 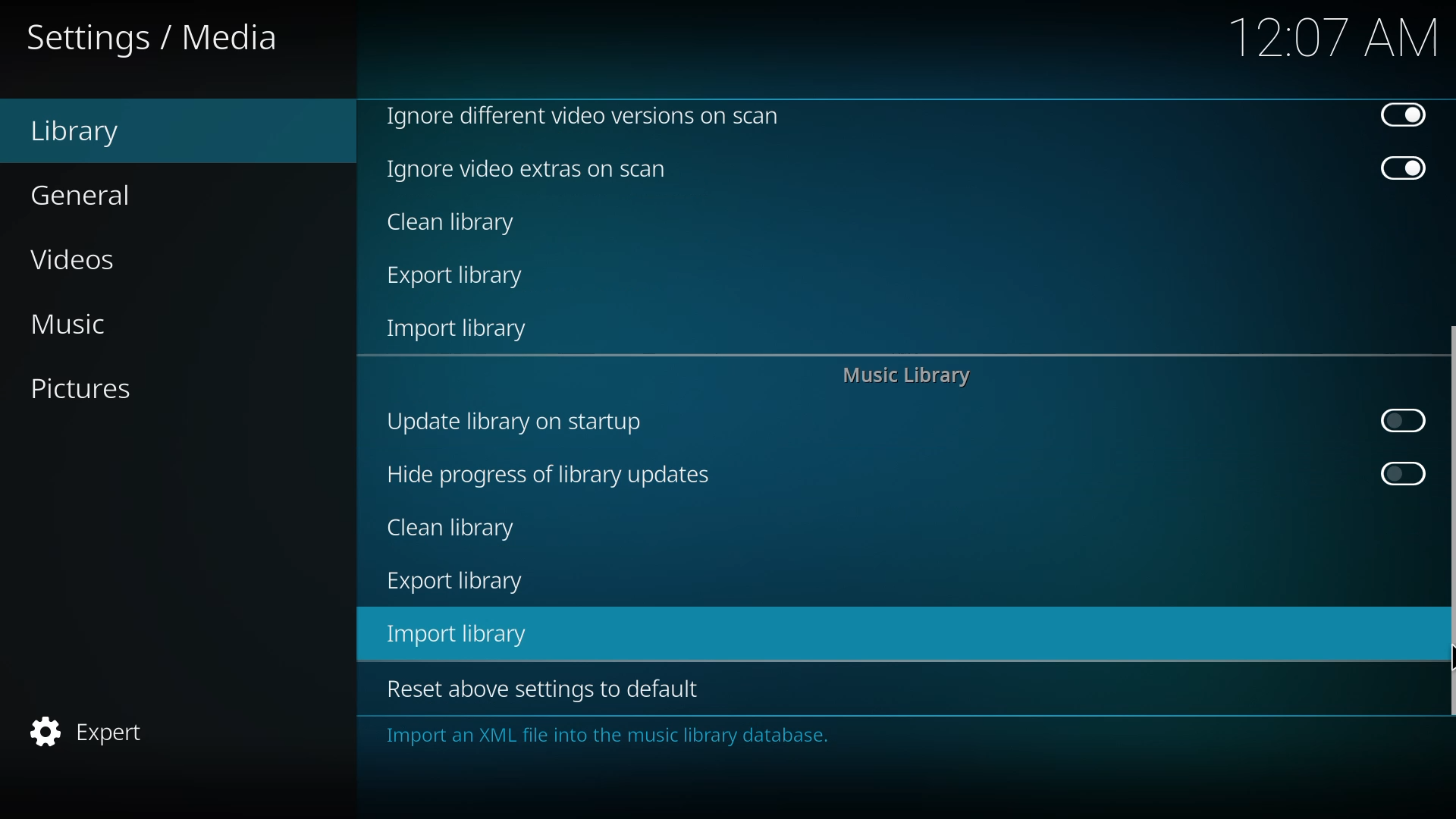 I want to click on music library, so click(x=904, y=378).